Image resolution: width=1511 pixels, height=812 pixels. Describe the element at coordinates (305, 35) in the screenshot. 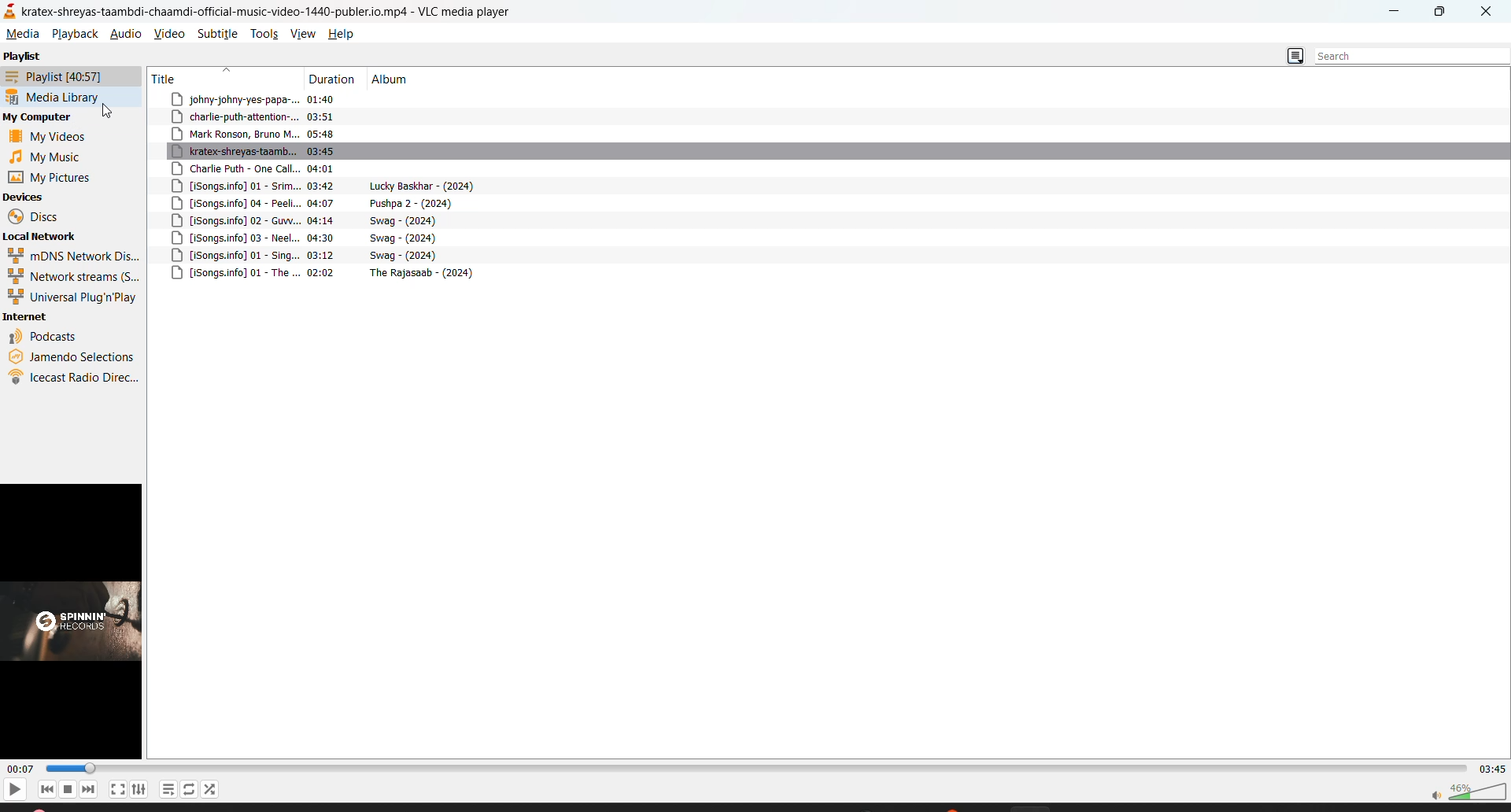

I see `view` at that location.